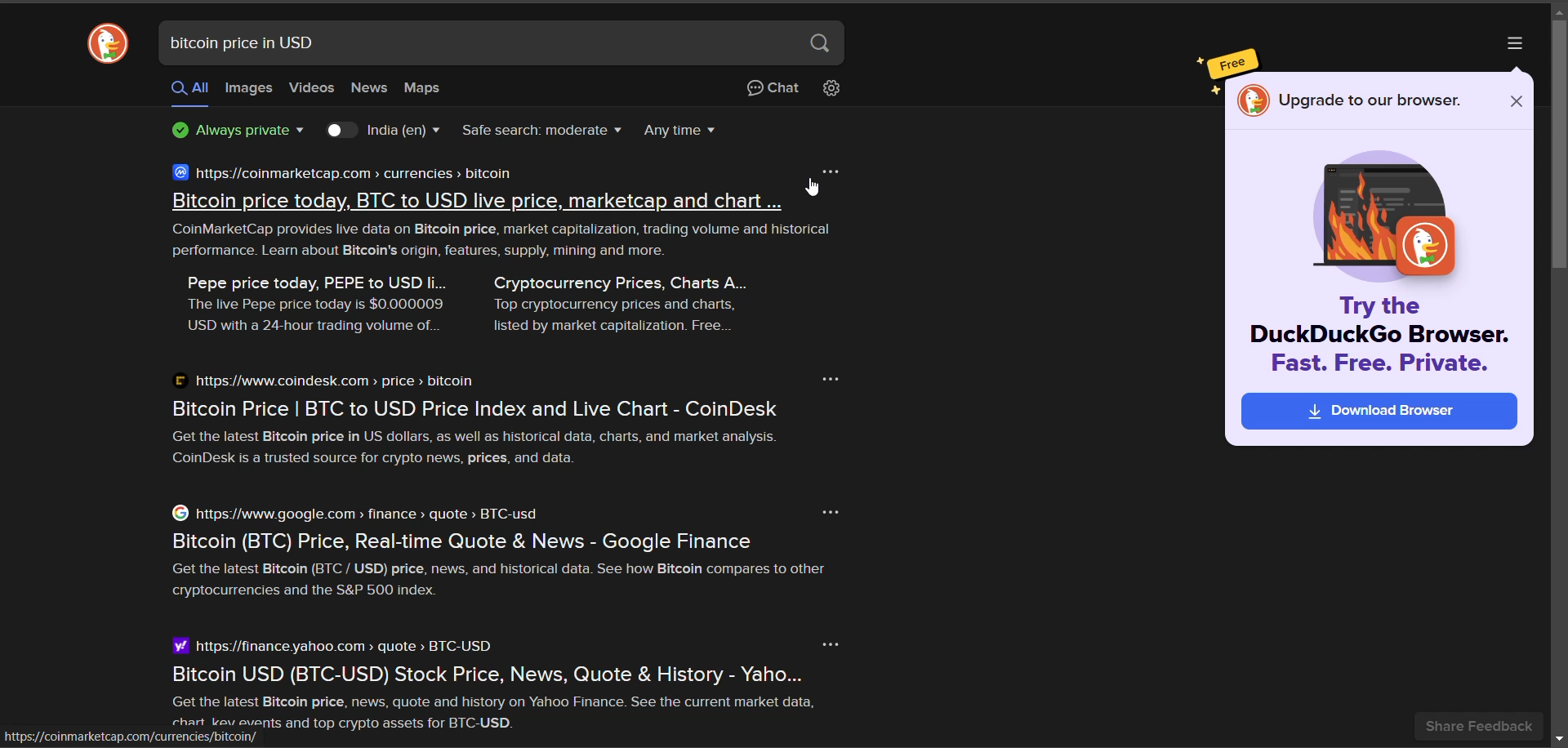  What do you see at coordinates (462, 408) in the screenshot?
I see `pitcoin Frice | bi C 10 USD Frice Inaex and Live Chart - Colnbesk` at bounding box center [462, 408].